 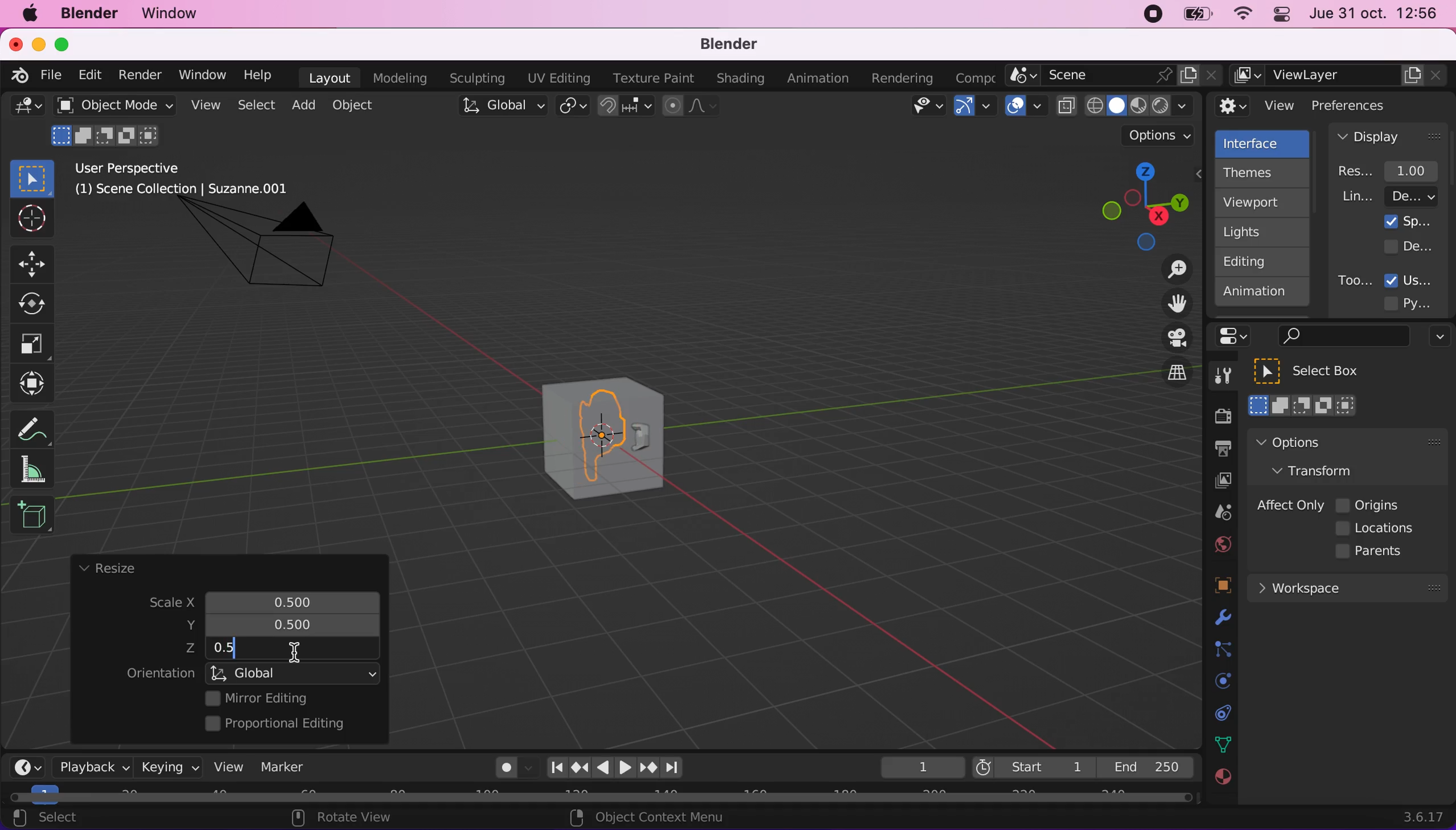 I want to click on mirror editing, so click(x=289, y=698).